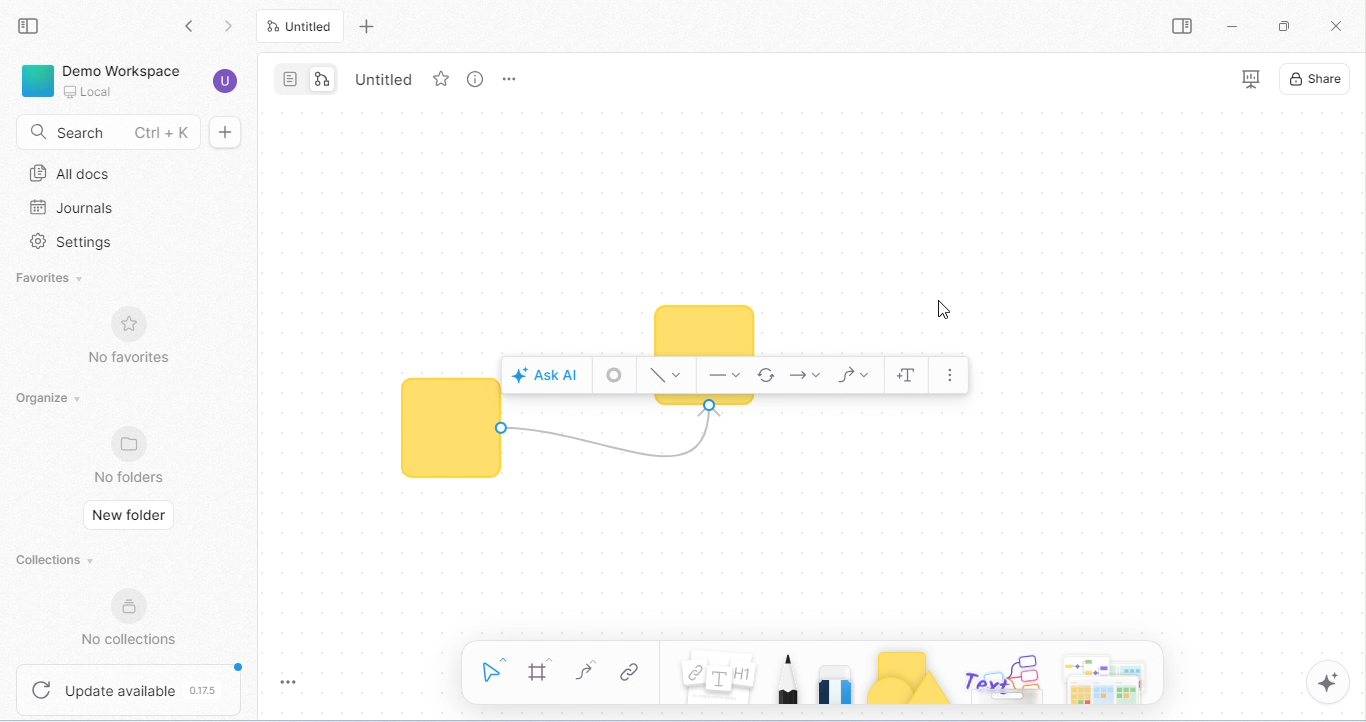  I want to click on arrows and more, so click(1105, 677).